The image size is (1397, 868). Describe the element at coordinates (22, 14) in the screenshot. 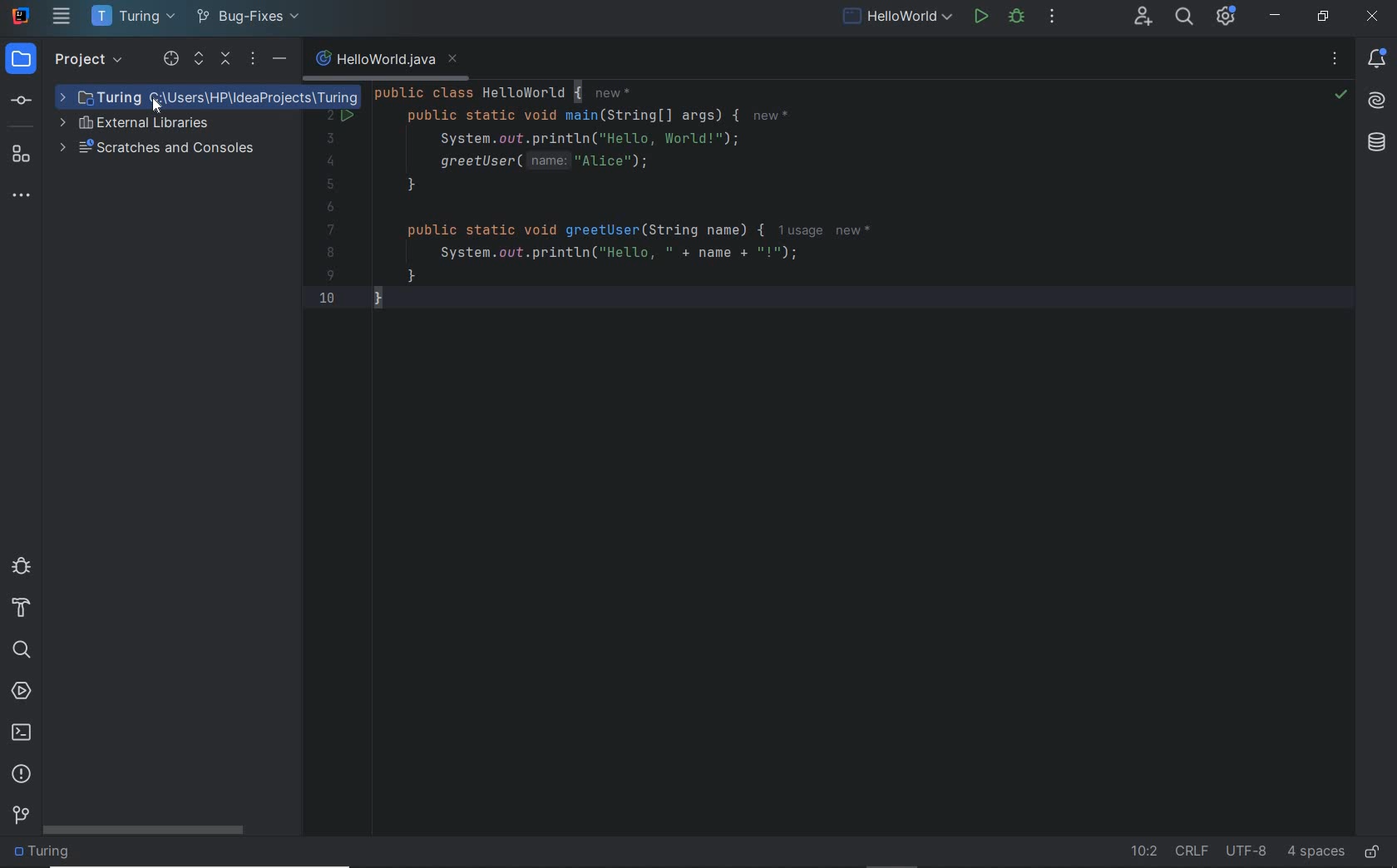

I see `system name` at that location.